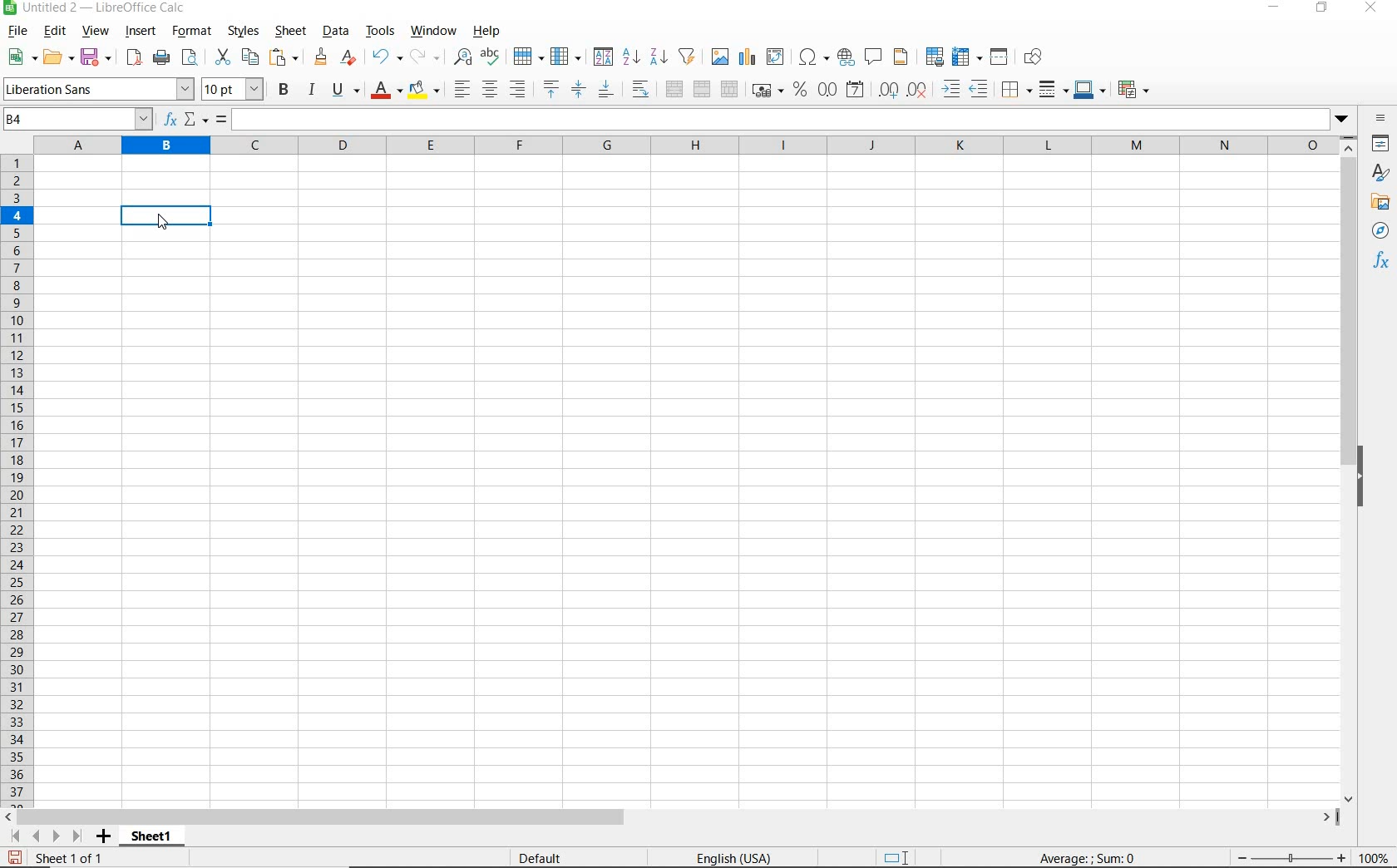 This screenshot has width=1397, height=868. I want to click on styles, so click(1382, 175).